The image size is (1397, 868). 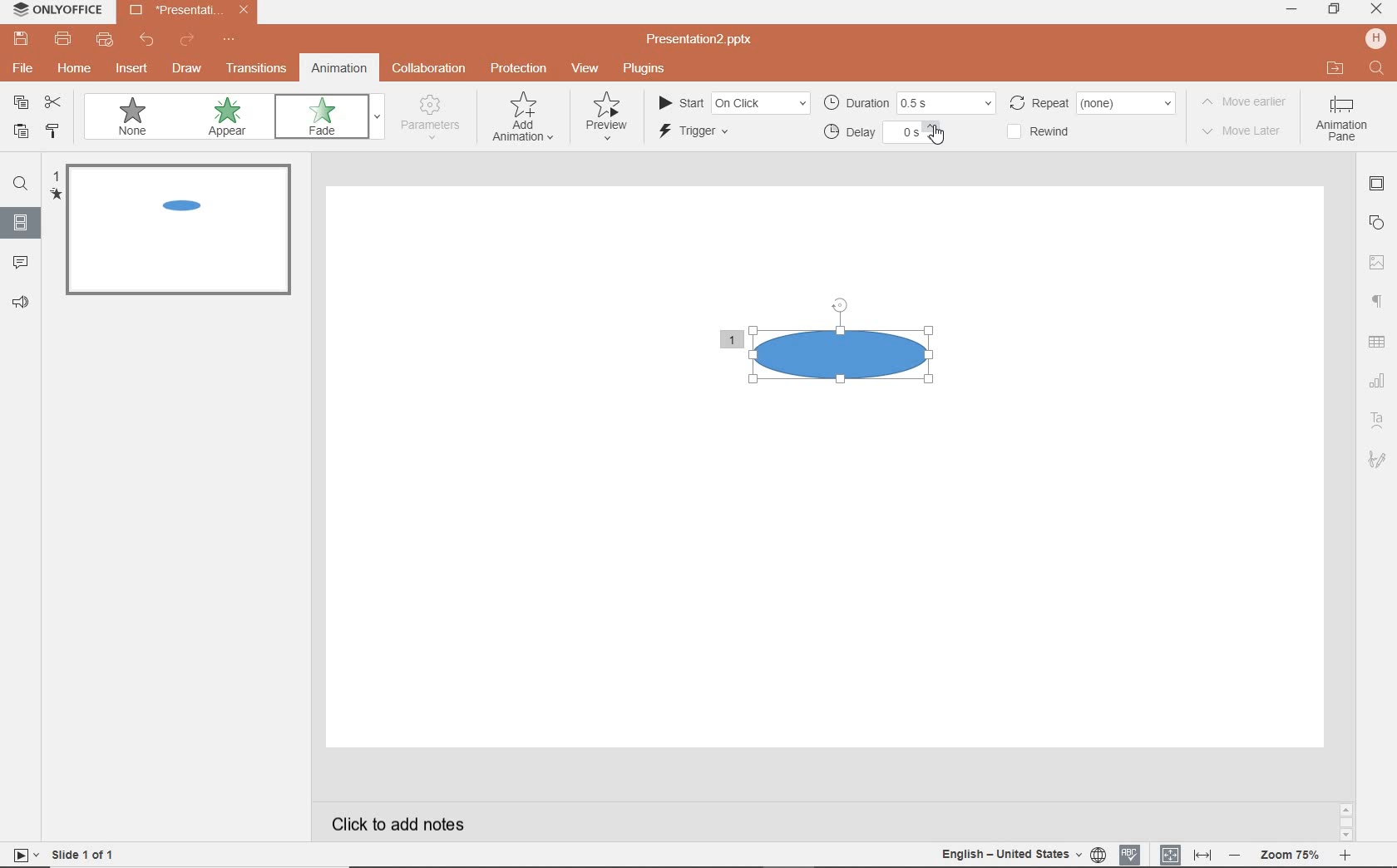 I want to click on TEXT LANGUAGE, so click(x=1023, y=855).